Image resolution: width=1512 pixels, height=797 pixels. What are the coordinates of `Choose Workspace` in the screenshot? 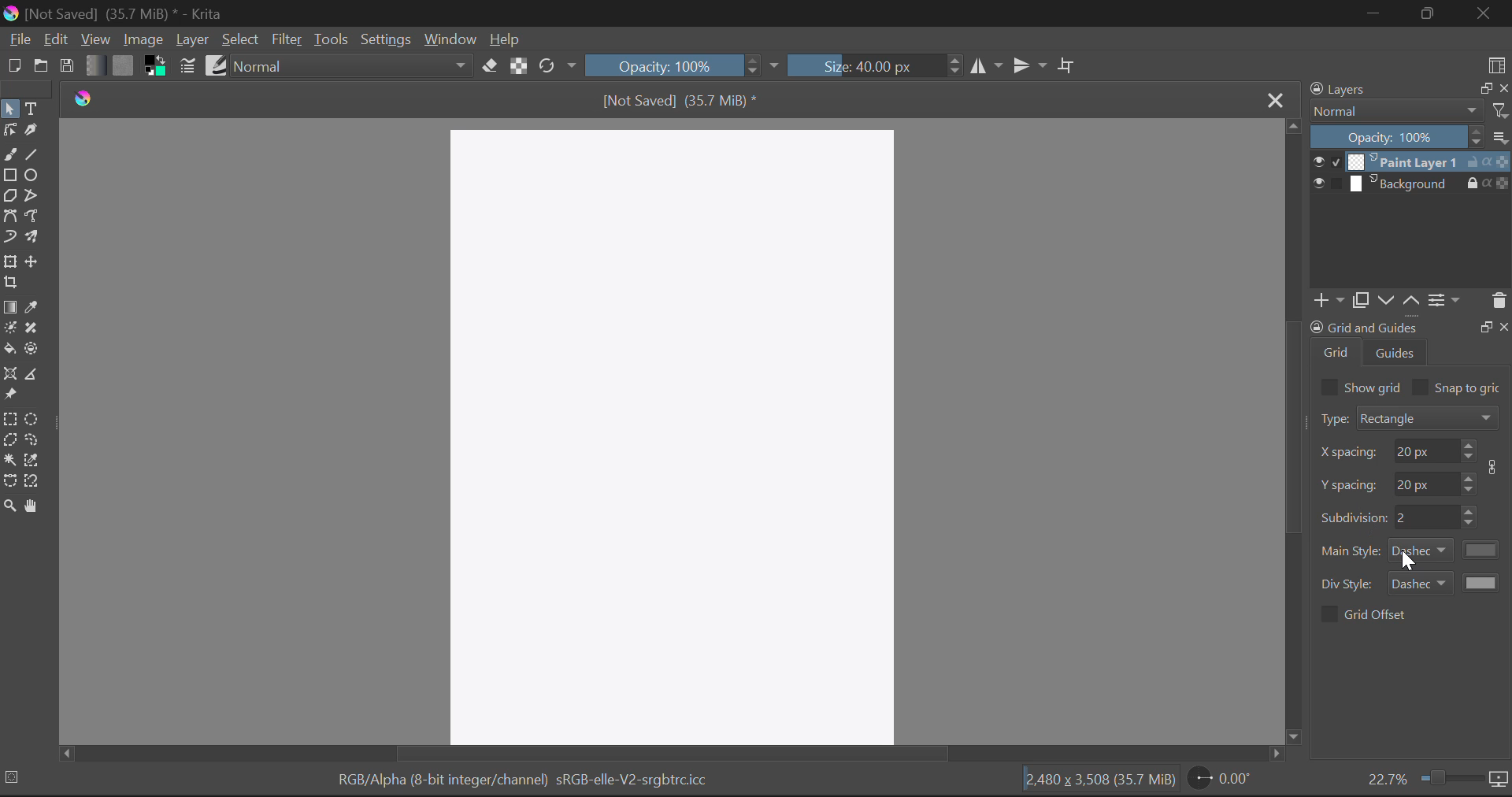 It's located at (1496, 64).